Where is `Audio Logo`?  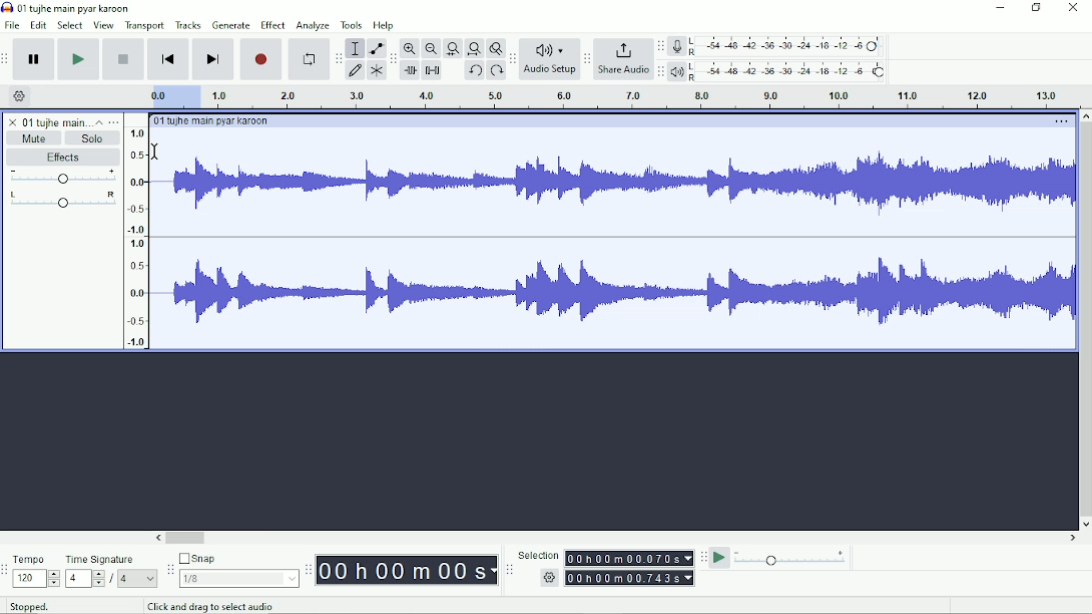 Audio Logo is located at coordinates (550, 46).